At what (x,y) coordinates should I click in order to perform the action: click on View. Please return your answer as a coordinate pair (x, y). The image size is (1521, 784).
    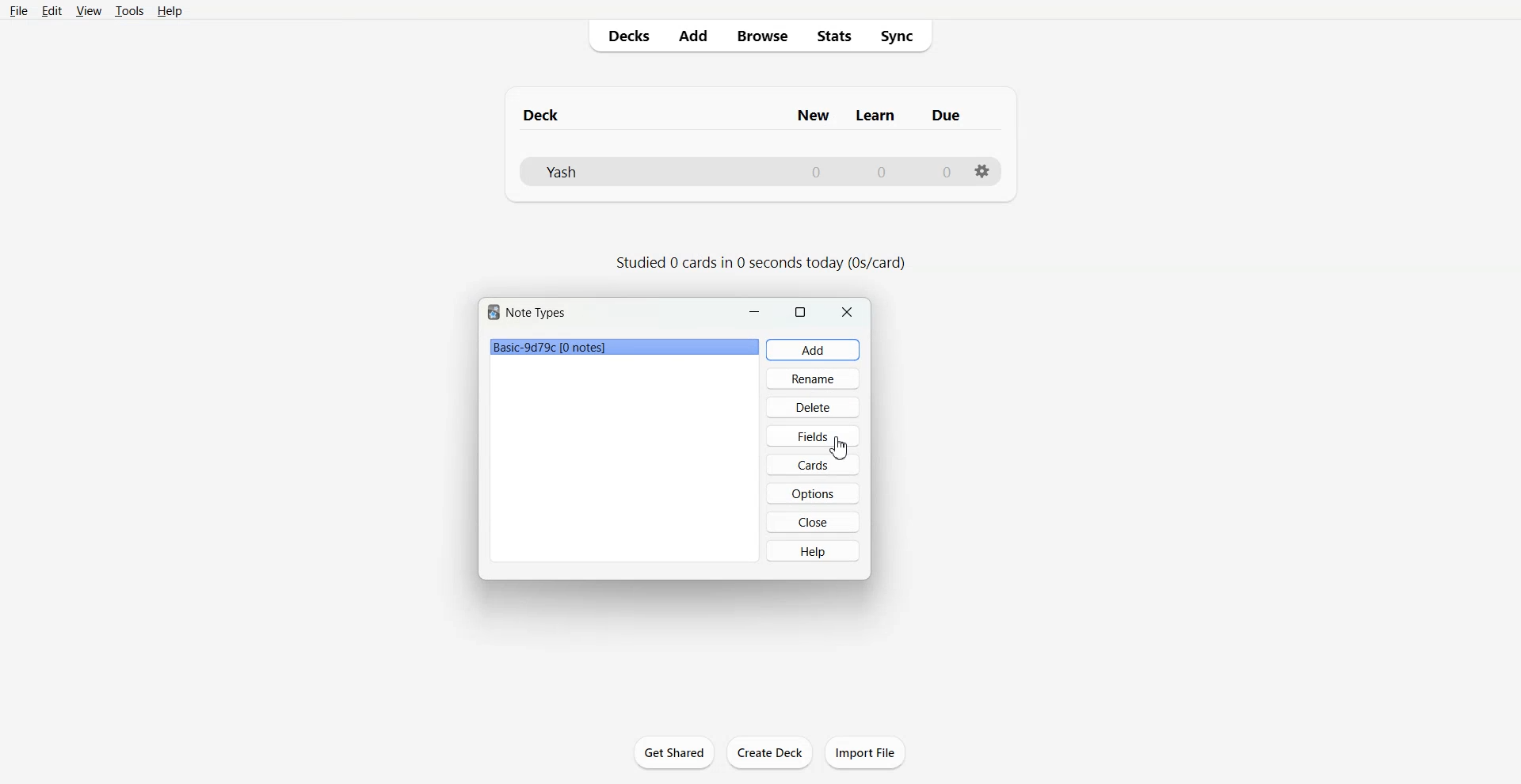
    Looking at the image, I should click on (90, 10).